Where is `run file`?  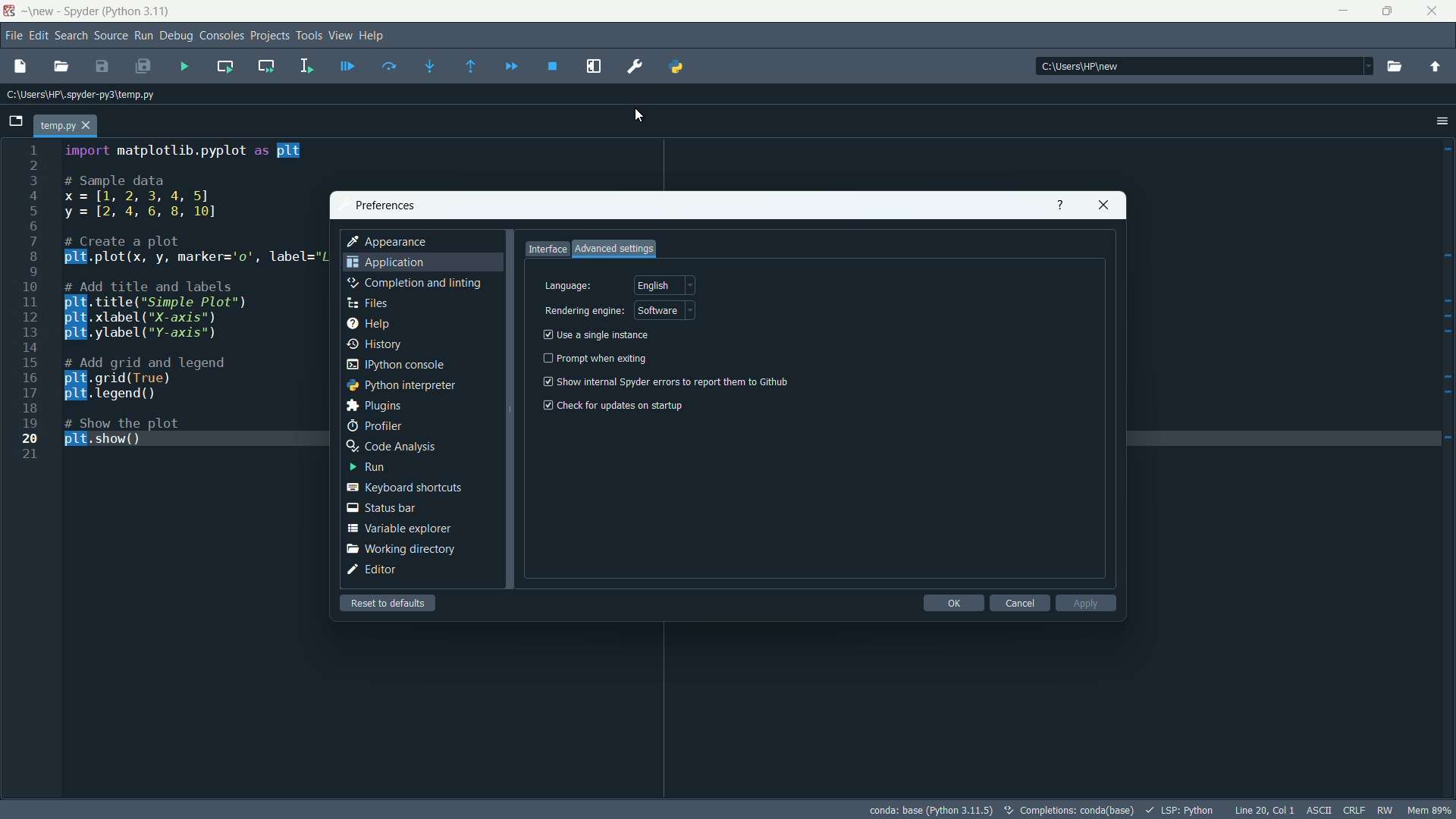
run file is located at coordinates (185, 67).